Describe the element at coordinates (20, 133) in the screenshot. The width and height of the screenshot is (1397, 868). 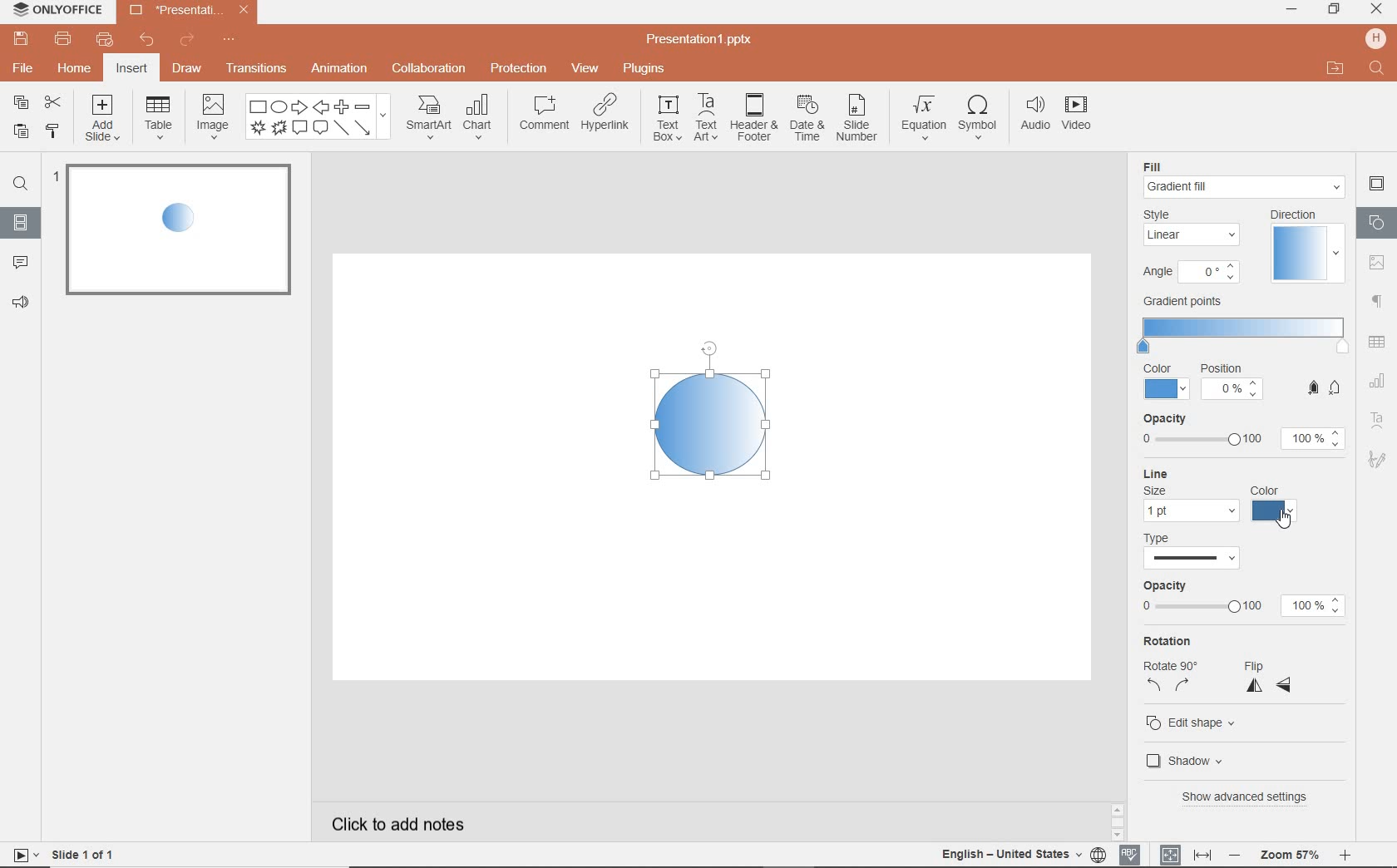
I see `paste` at that location.